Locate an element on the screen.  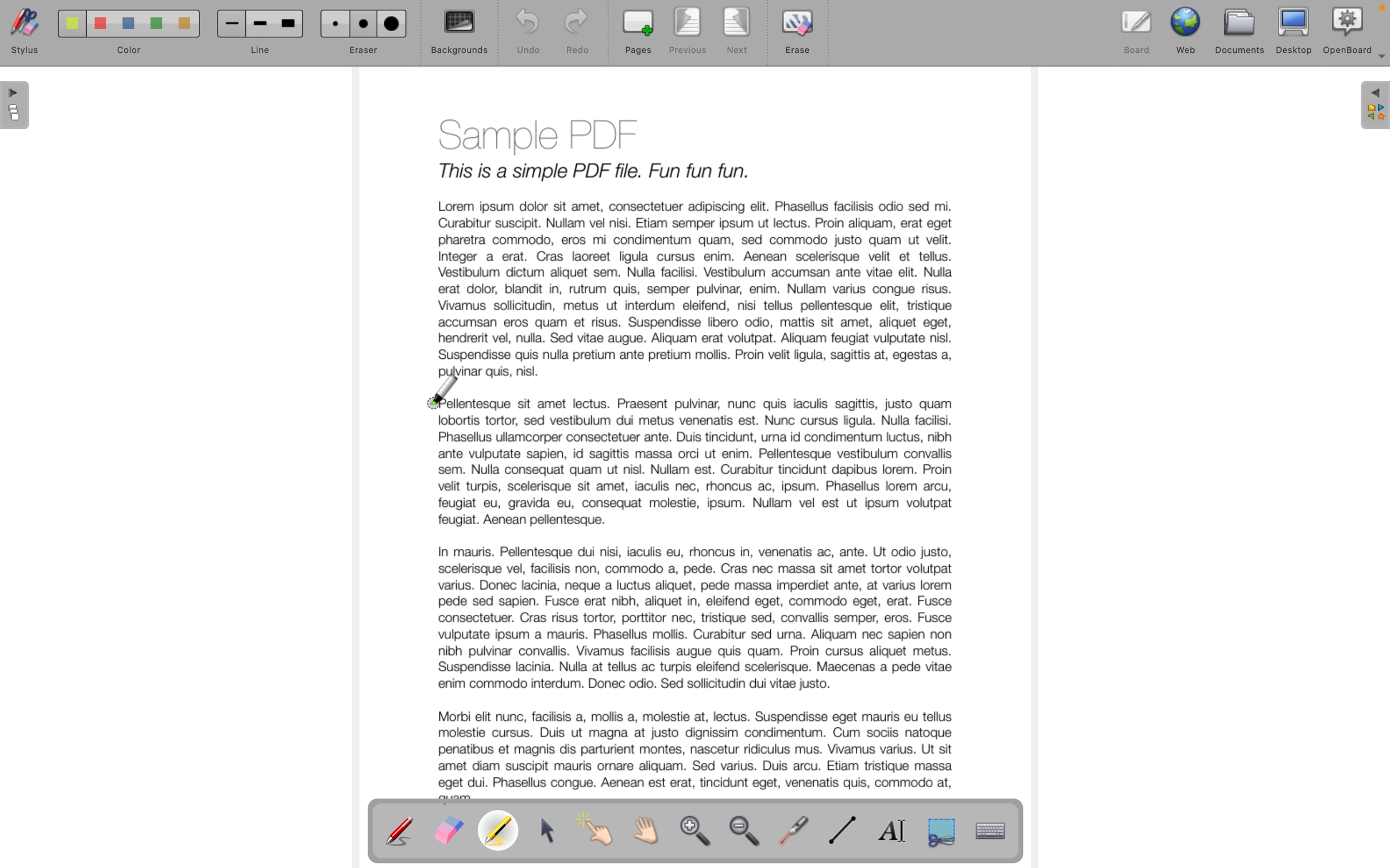
display virtual keyboard is located at coordinates (1001, 831).